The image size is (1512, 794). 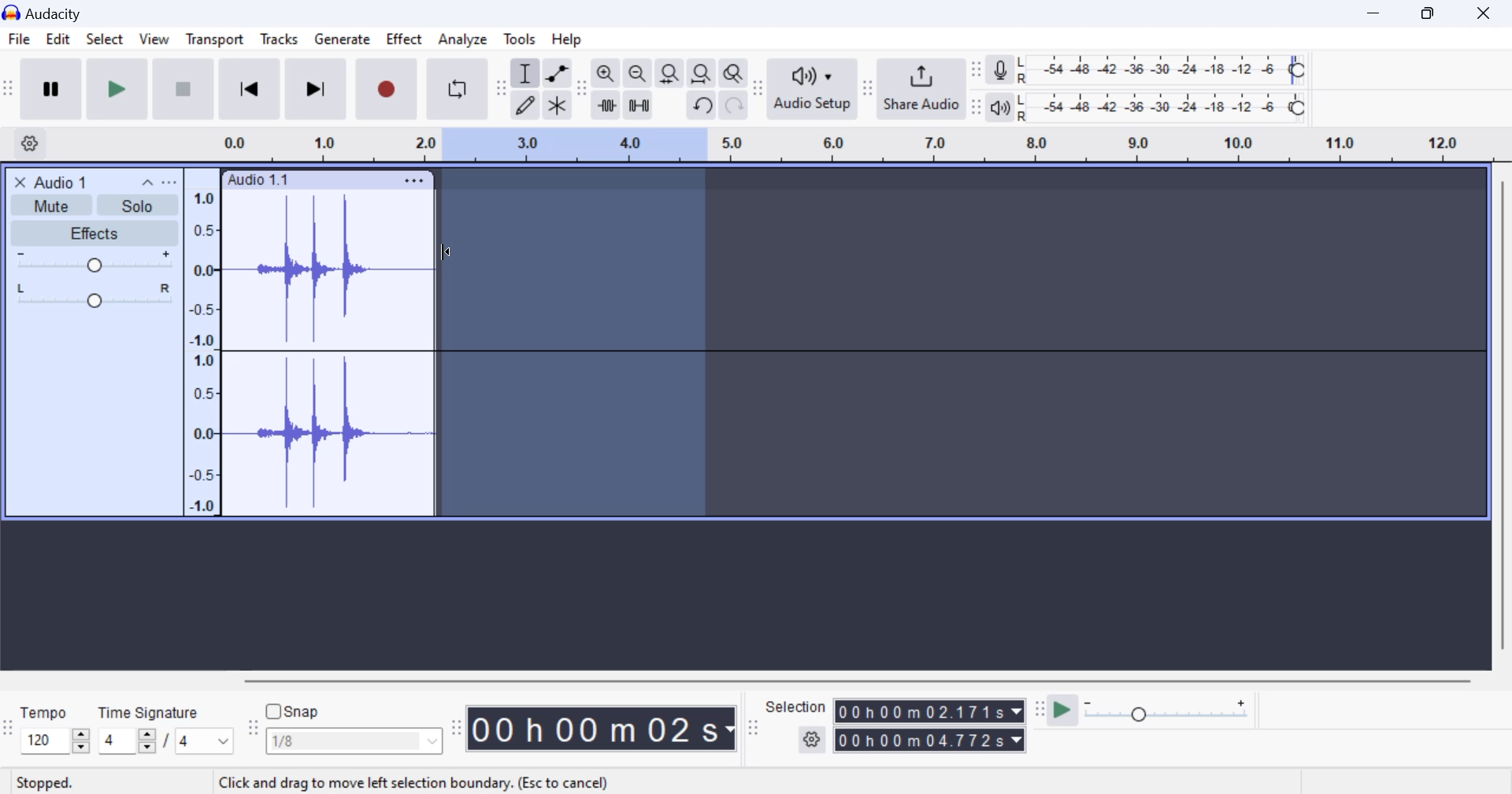 I want to click on increase or decrease time signature, so click(x=127, y=741).